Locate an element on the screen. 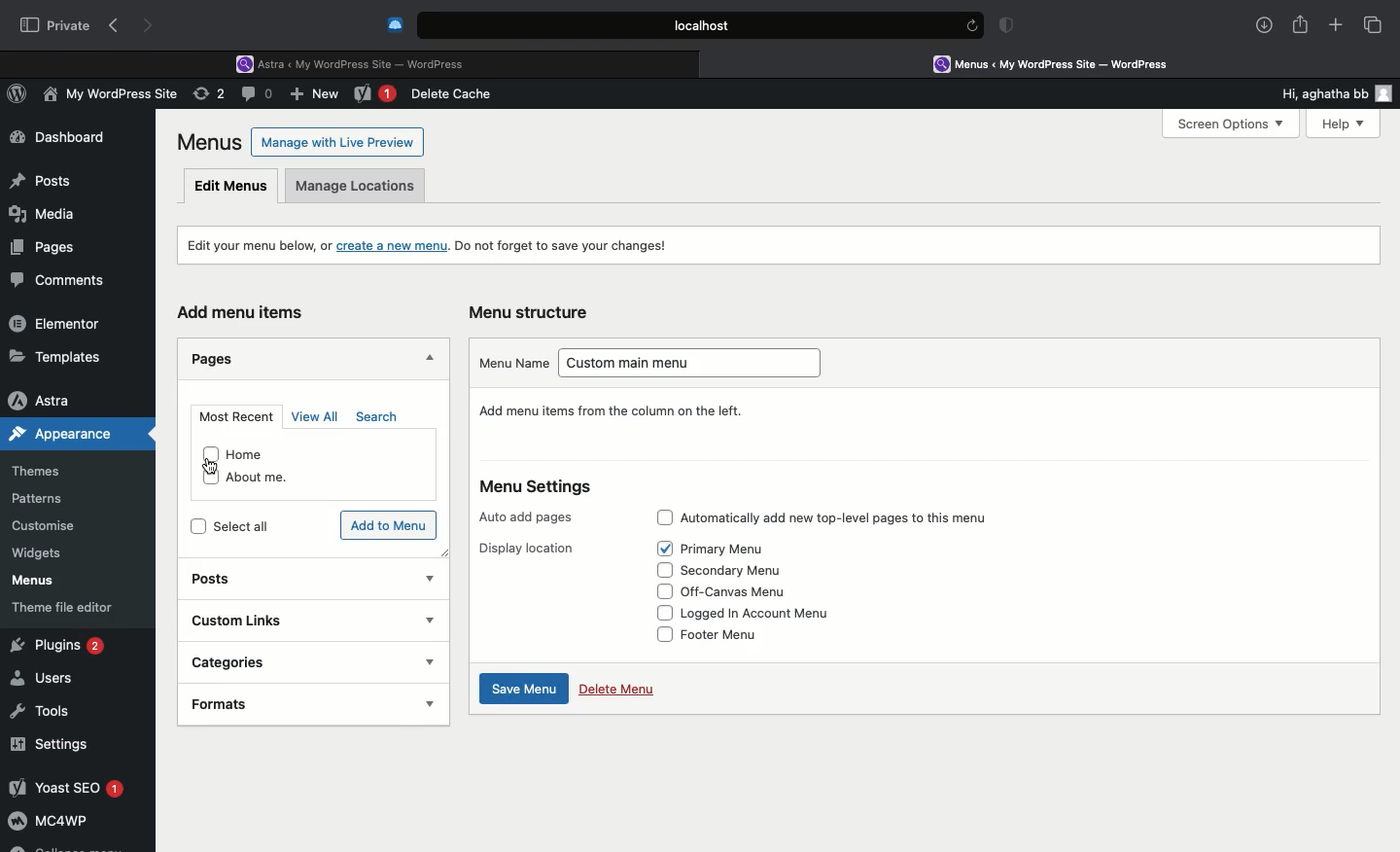  Menu structure is located at coordinates (533, 312).